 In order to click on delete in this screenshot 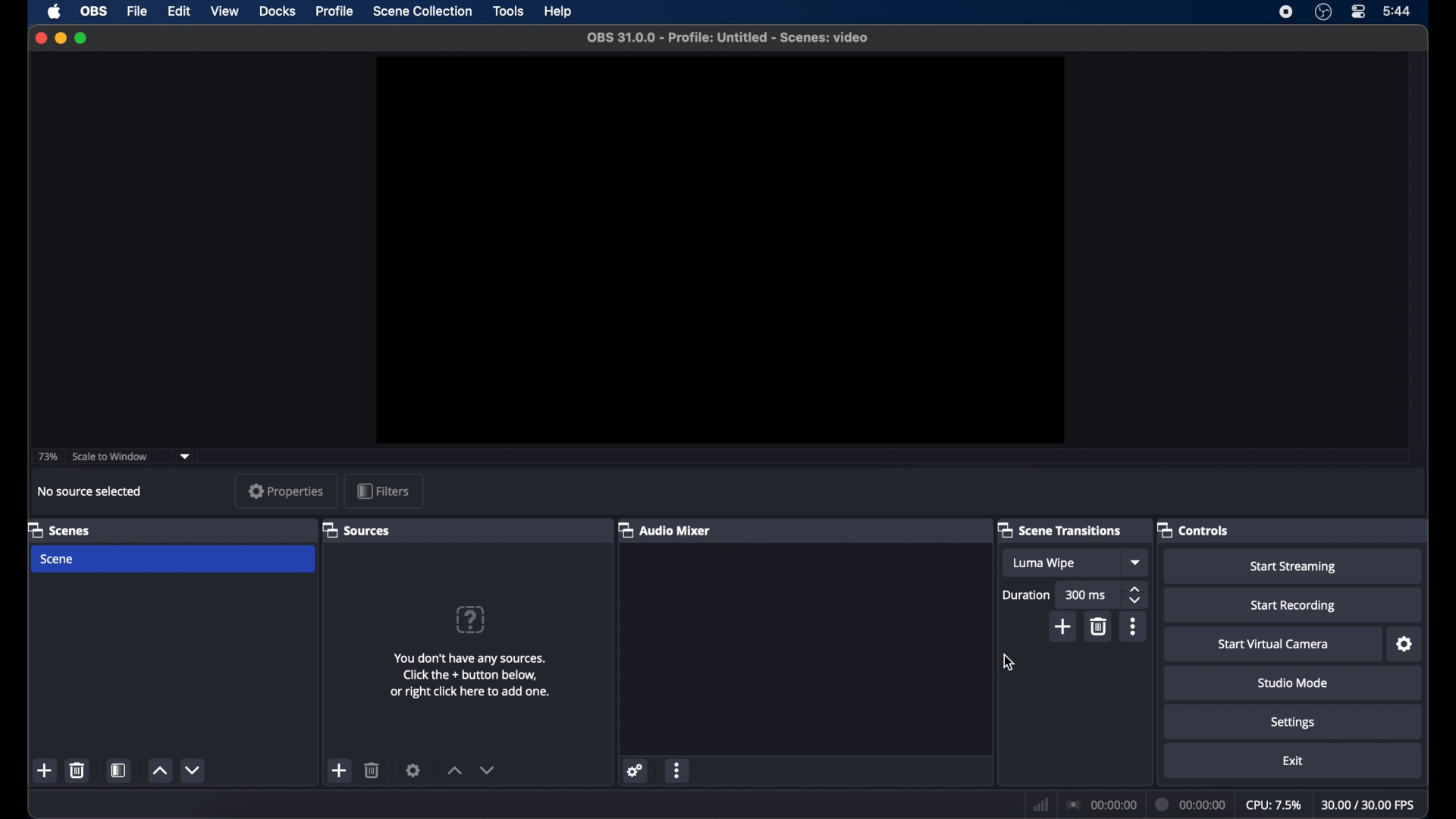, I will do `click(77, 771)`.